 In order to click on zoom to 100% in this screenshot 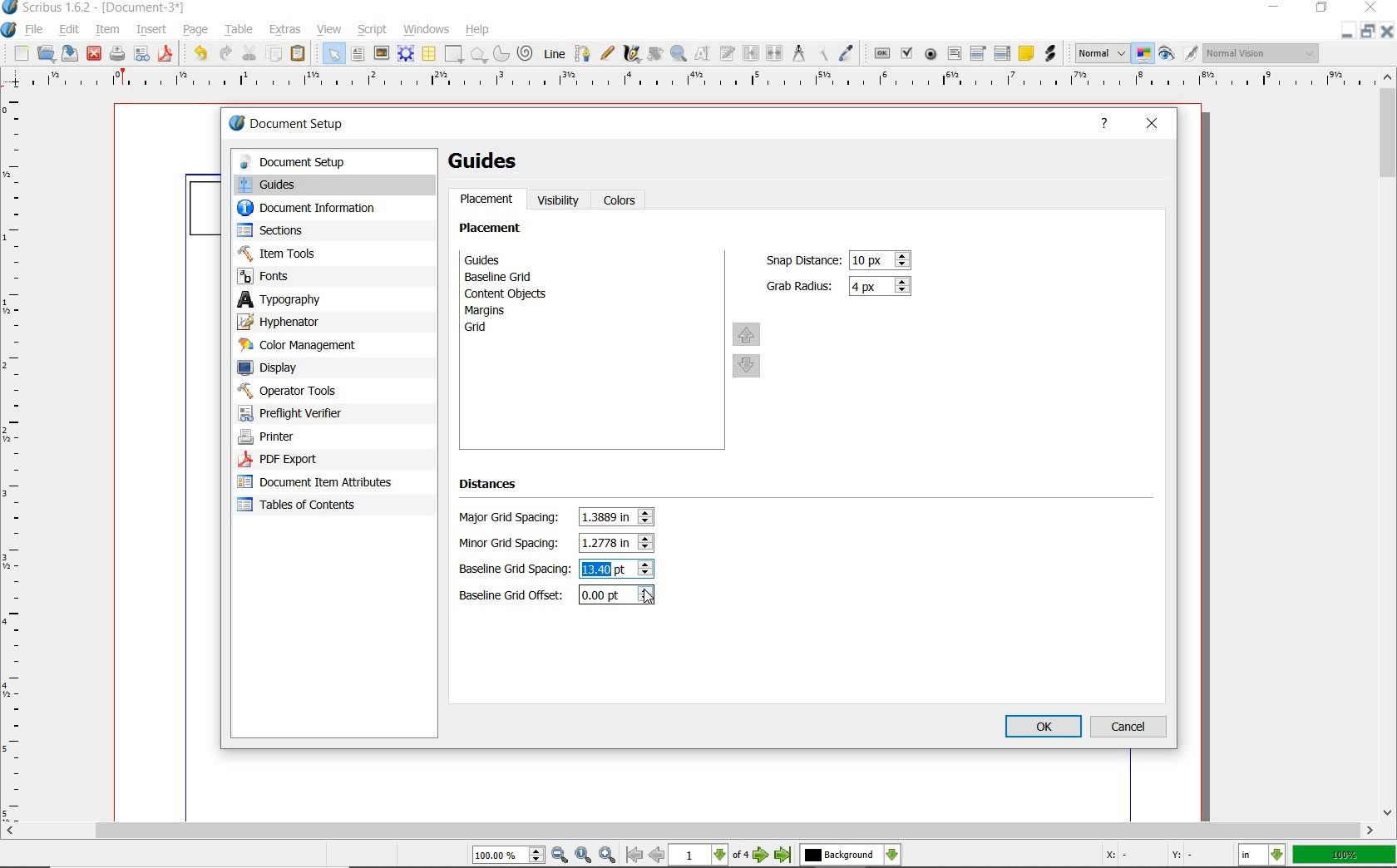, I will do `click(585, 856)`.